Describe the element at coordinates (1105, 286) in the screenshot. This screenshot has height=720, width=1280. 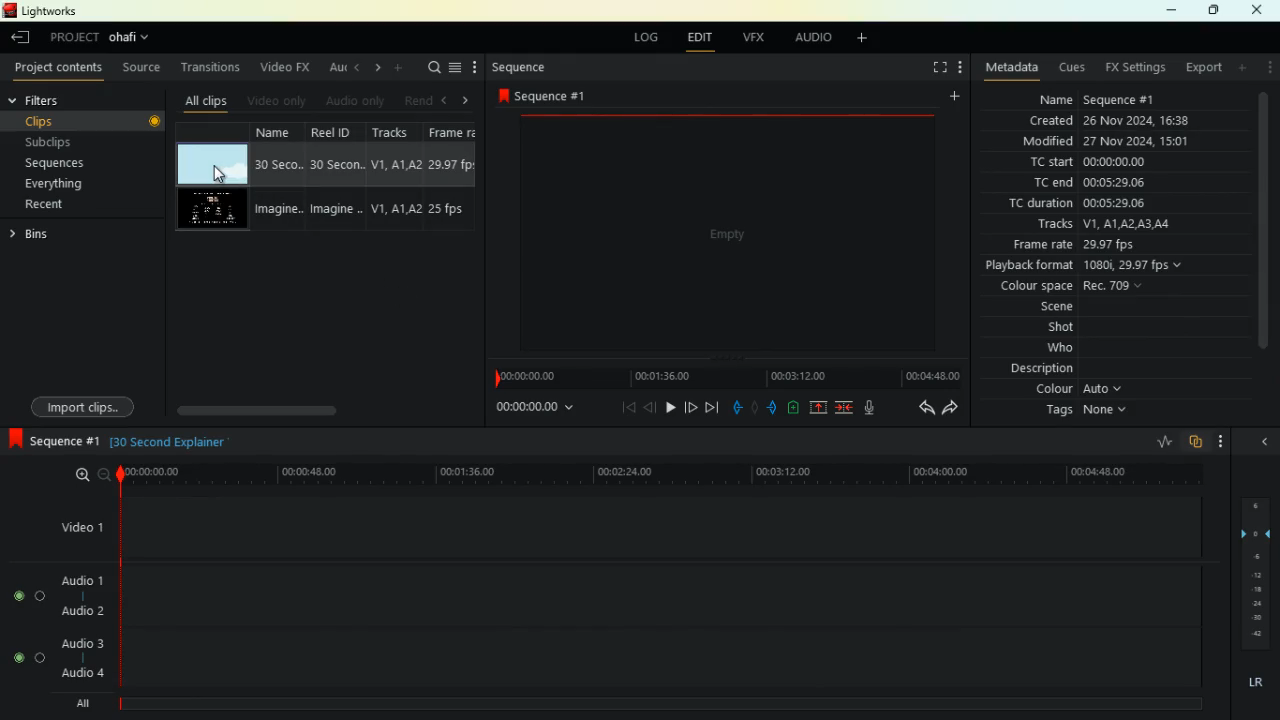
I see `colour space Rec 709` at that location.